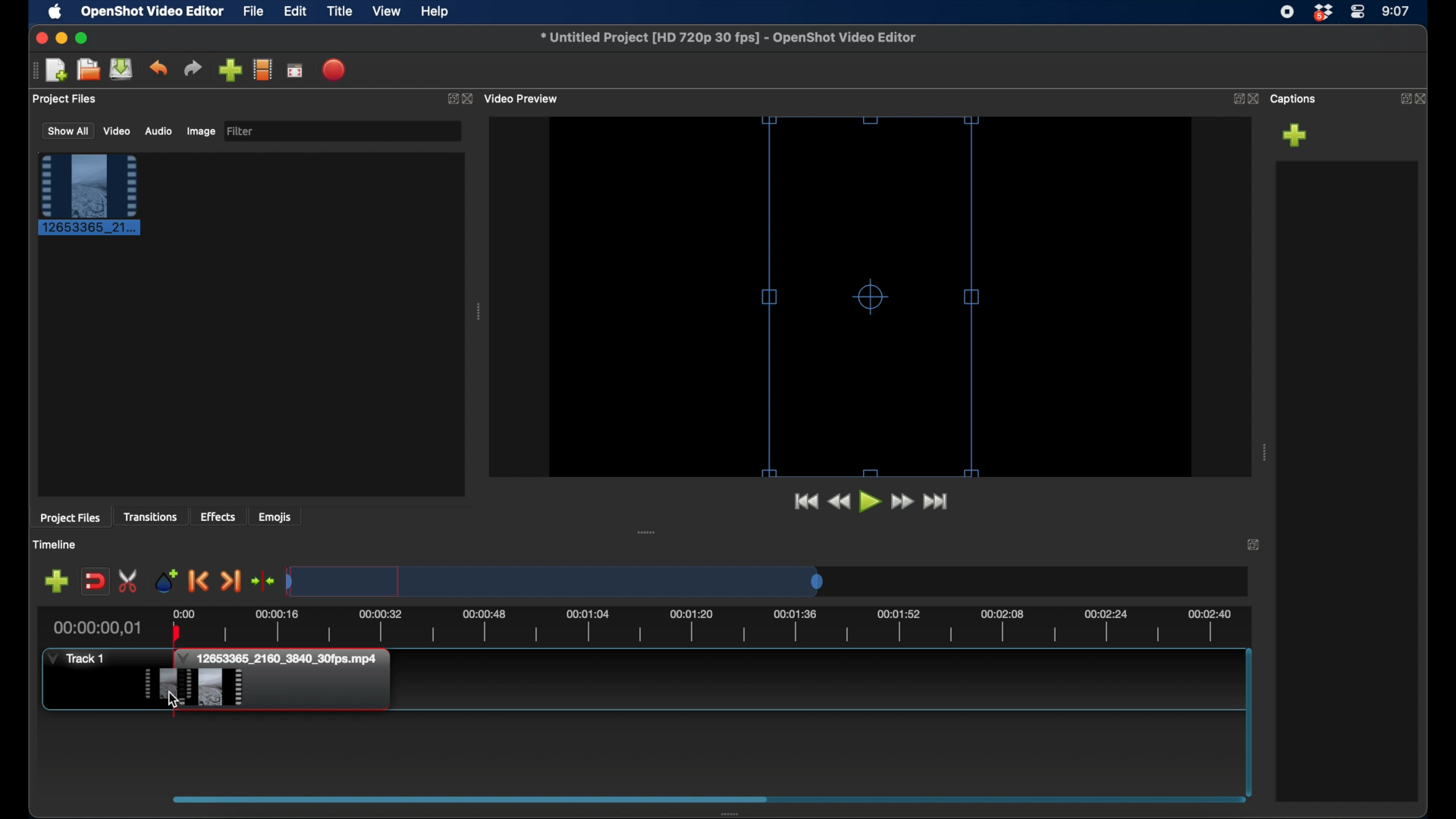  I want to click on previous marker, so click(199, 582).